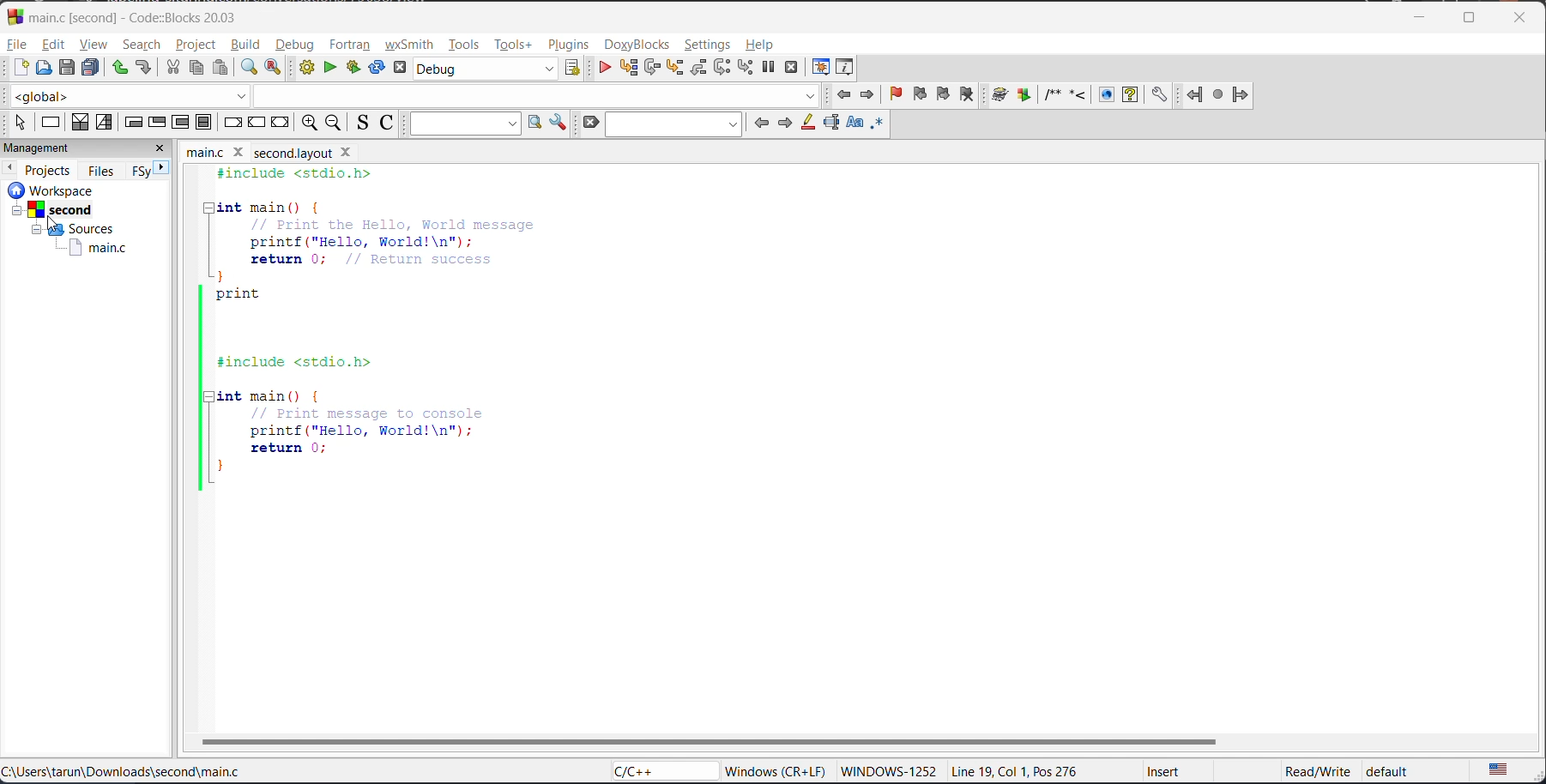 This screenshot has width=1546, height=784. I want to click on horizontal scroll bar, so click(708, 740).